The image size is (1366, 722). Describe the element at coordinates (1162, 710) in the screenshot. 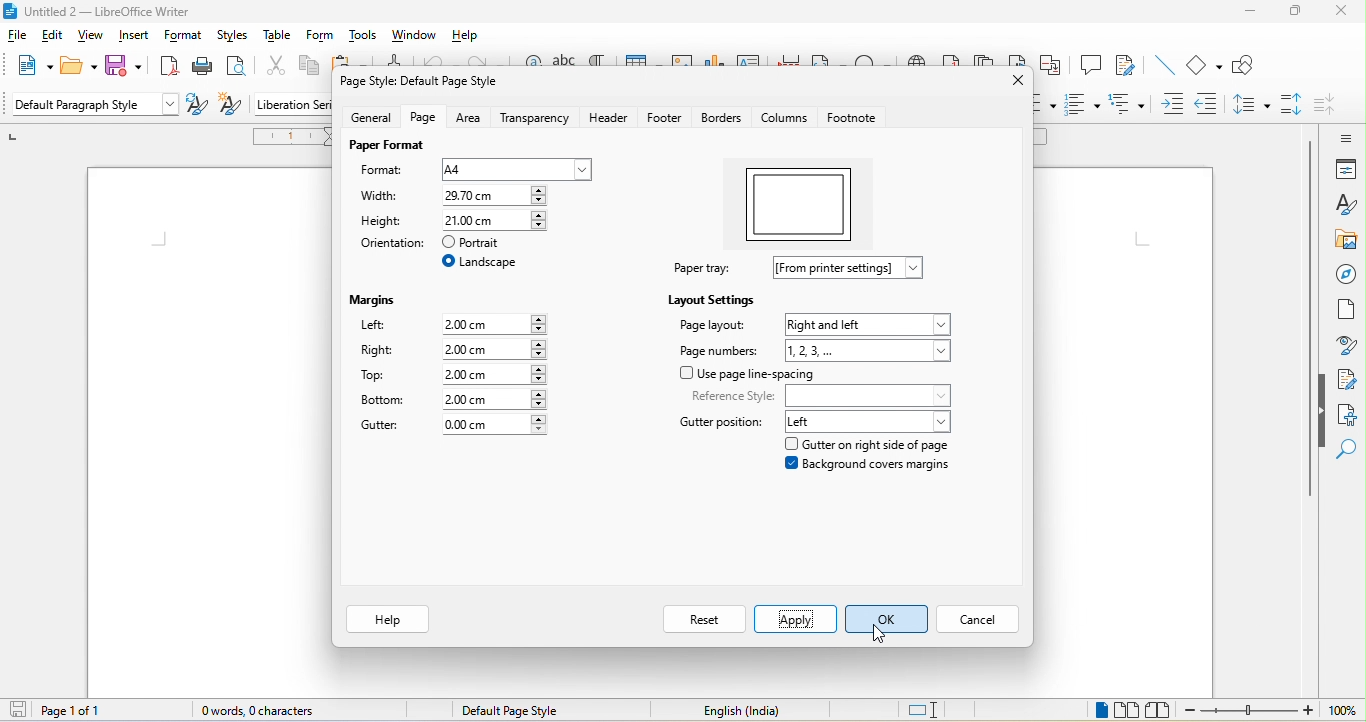

I see `book view` at that location.